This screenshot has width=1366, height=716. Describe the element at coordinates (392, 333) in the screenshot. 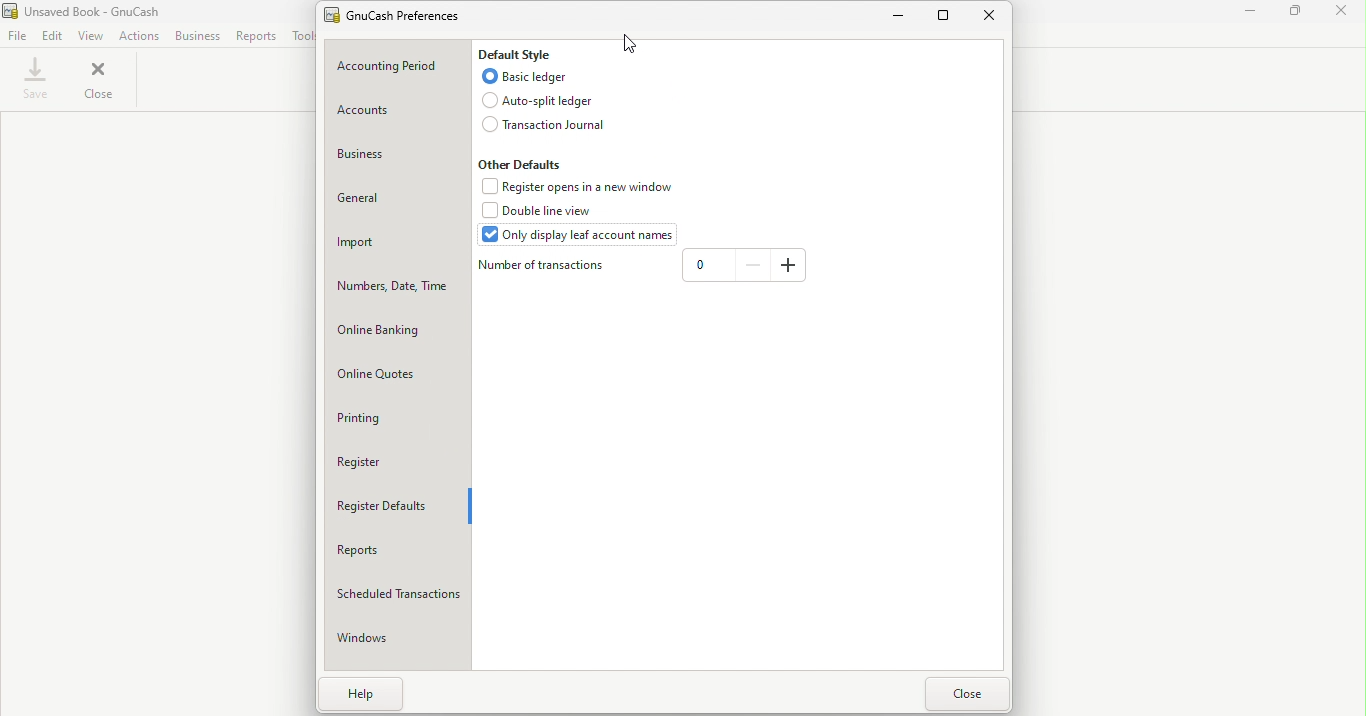

I see `Online banking` at that location.